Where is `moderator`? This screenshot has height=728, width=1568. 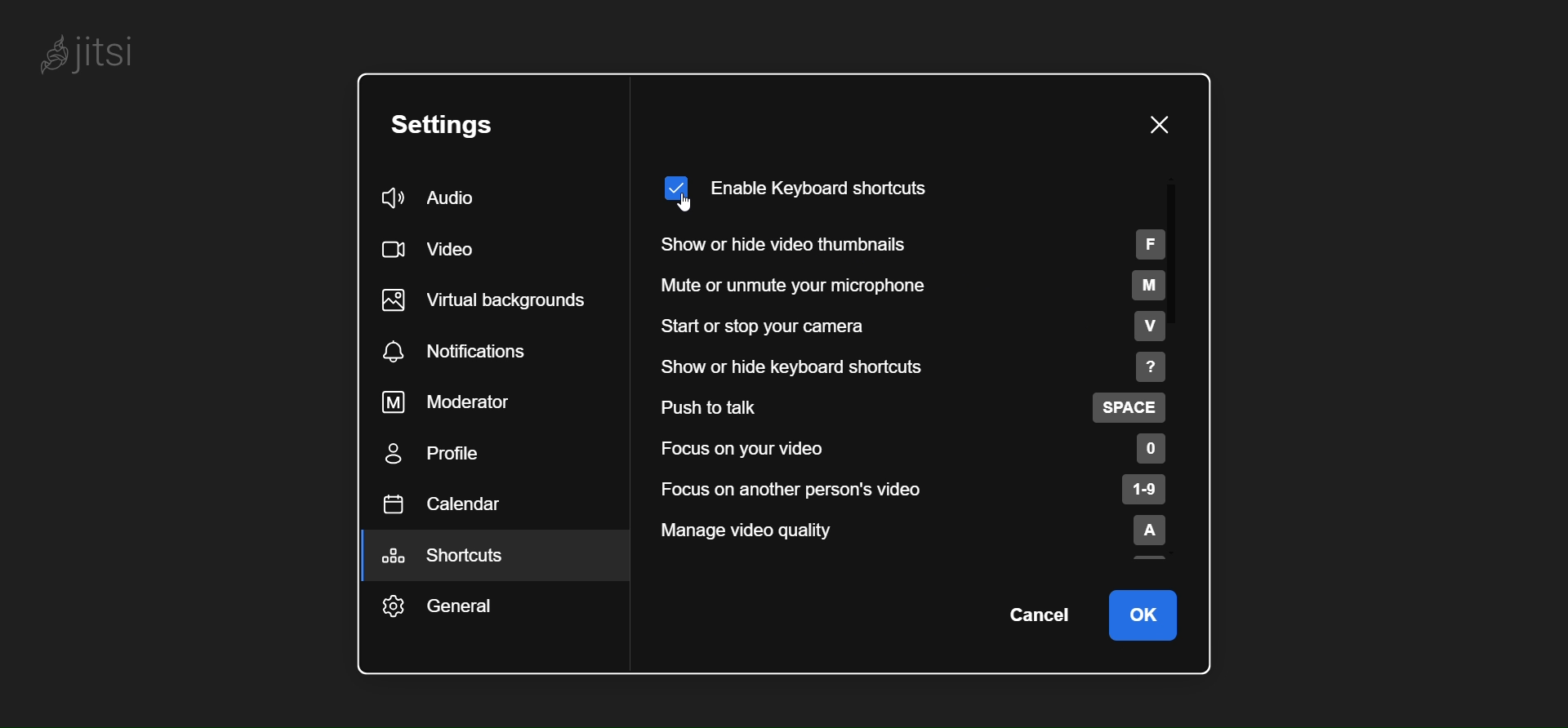 moderator is located at coordinates (452, 402).